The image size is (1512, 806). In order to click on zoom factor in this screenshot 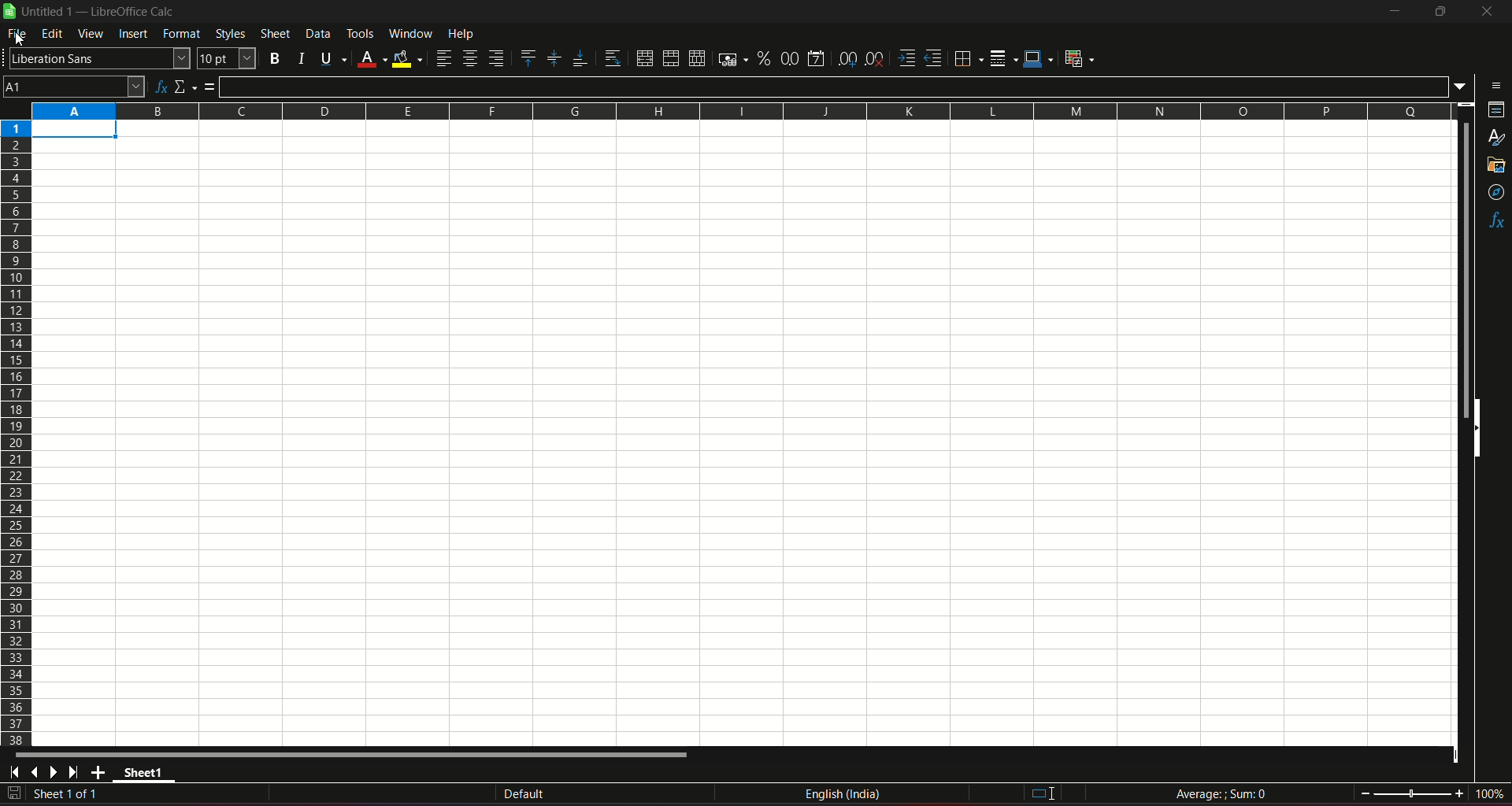, I will do `click(1488, 794)`.